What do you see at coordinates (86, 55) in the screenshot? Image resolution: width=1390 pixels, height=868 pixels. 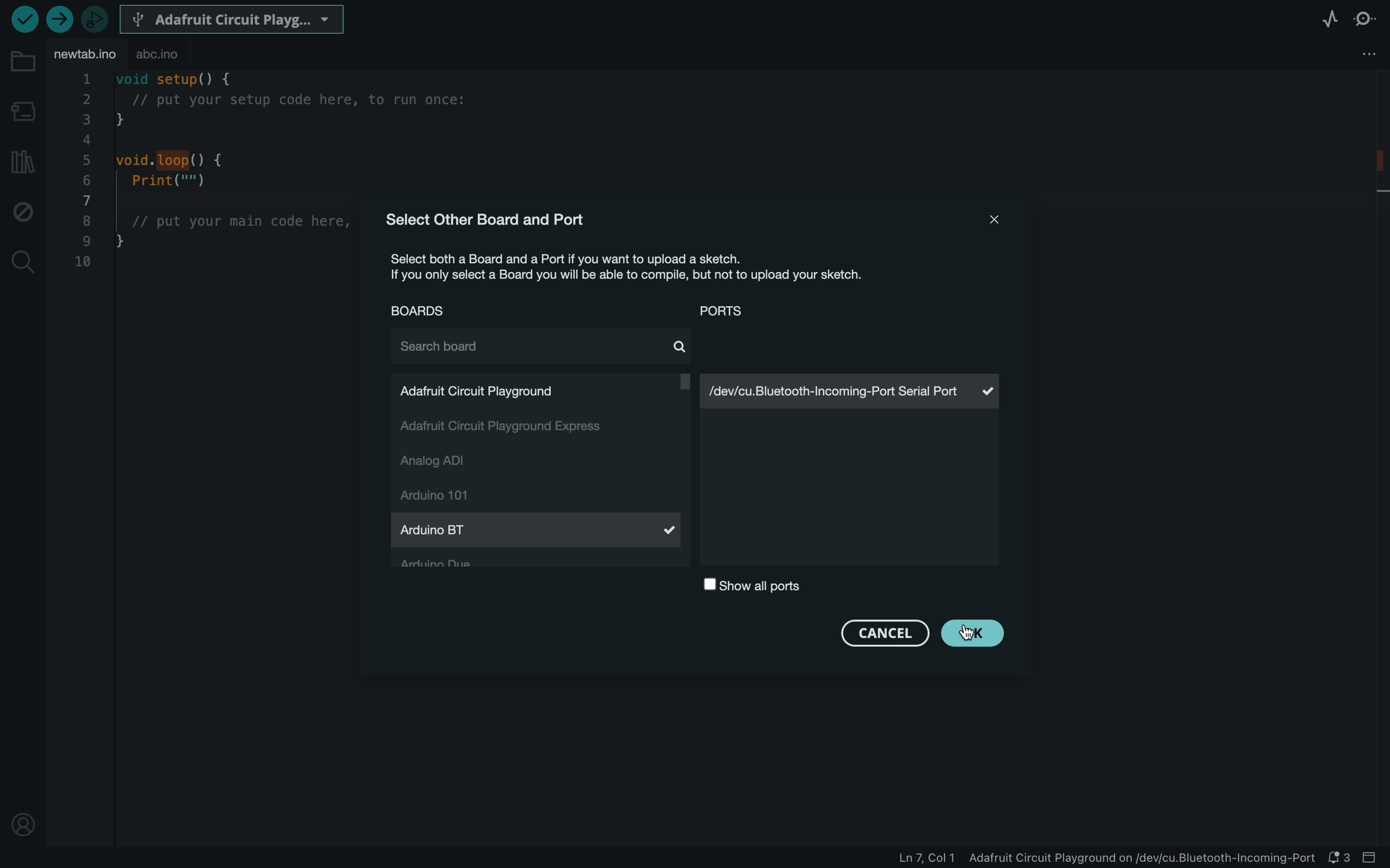 I see `file tab` at bounding box center [86, 55].